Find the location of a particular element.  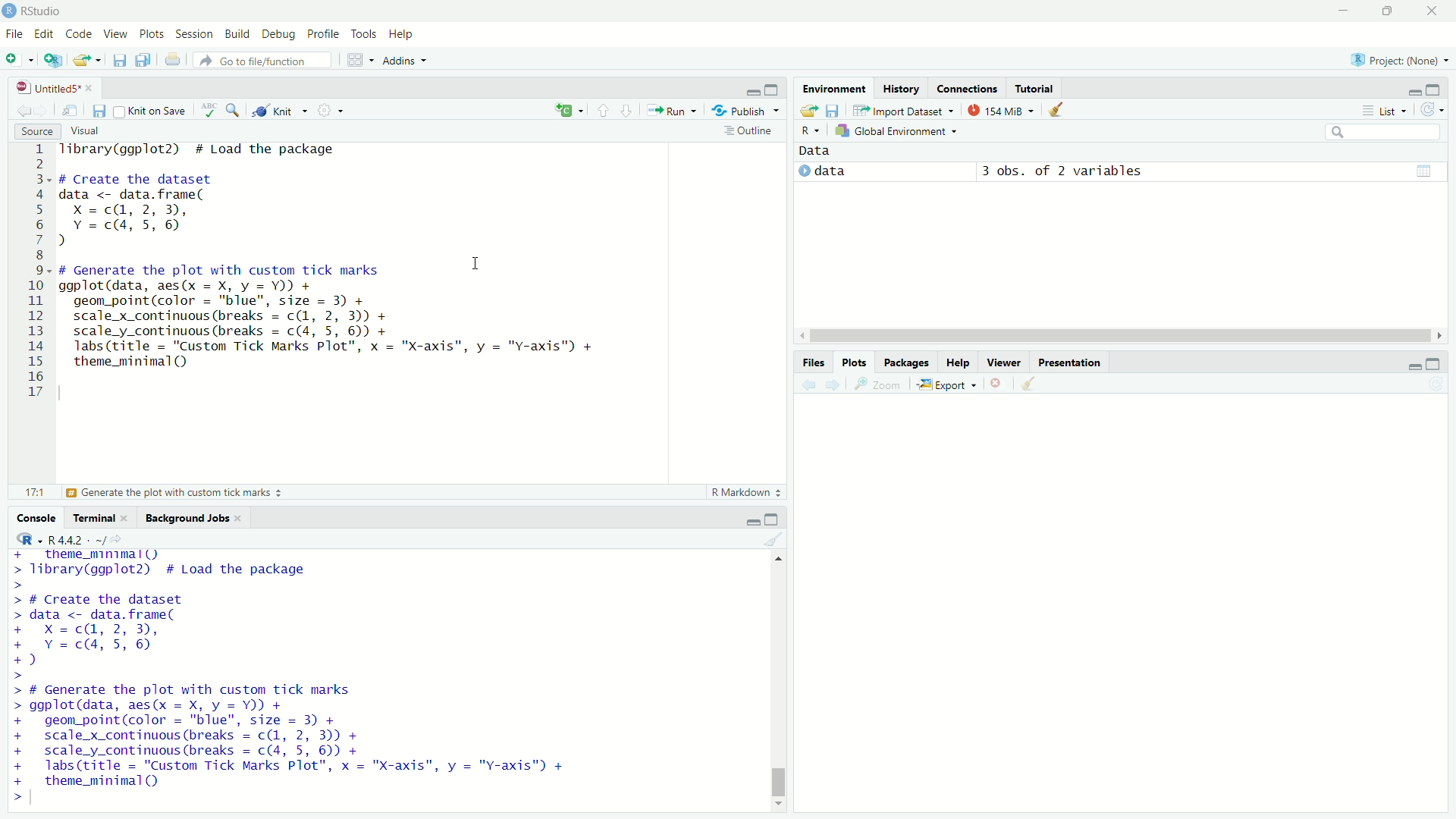

save workspace as is located at coordinates (836, 111).